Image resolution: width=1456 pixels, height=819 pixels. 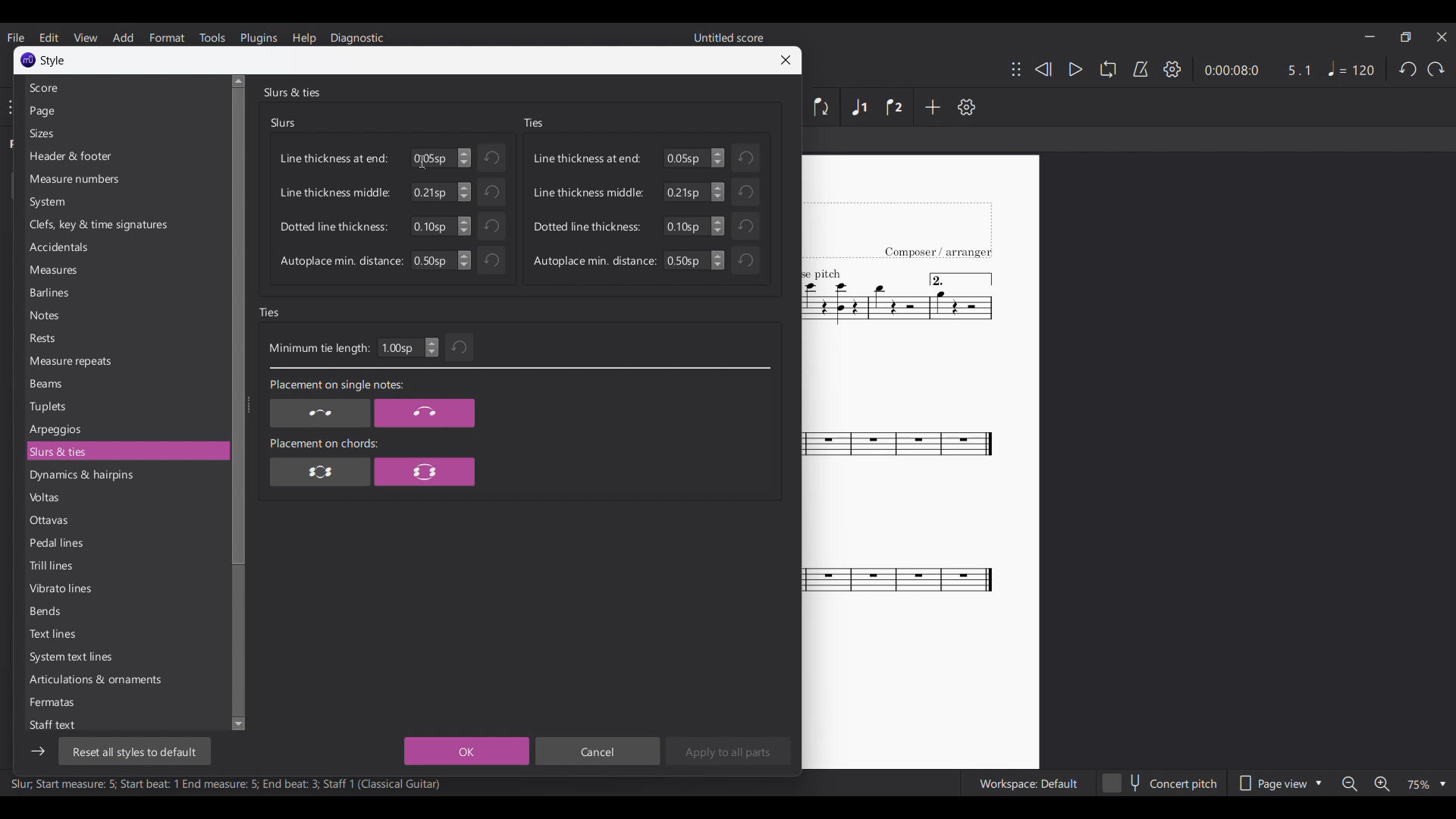 What do you see at coordinates (125, 475) in the screenshot?
I see `Dynamics & hairpins` at bounding box center [125, 475].